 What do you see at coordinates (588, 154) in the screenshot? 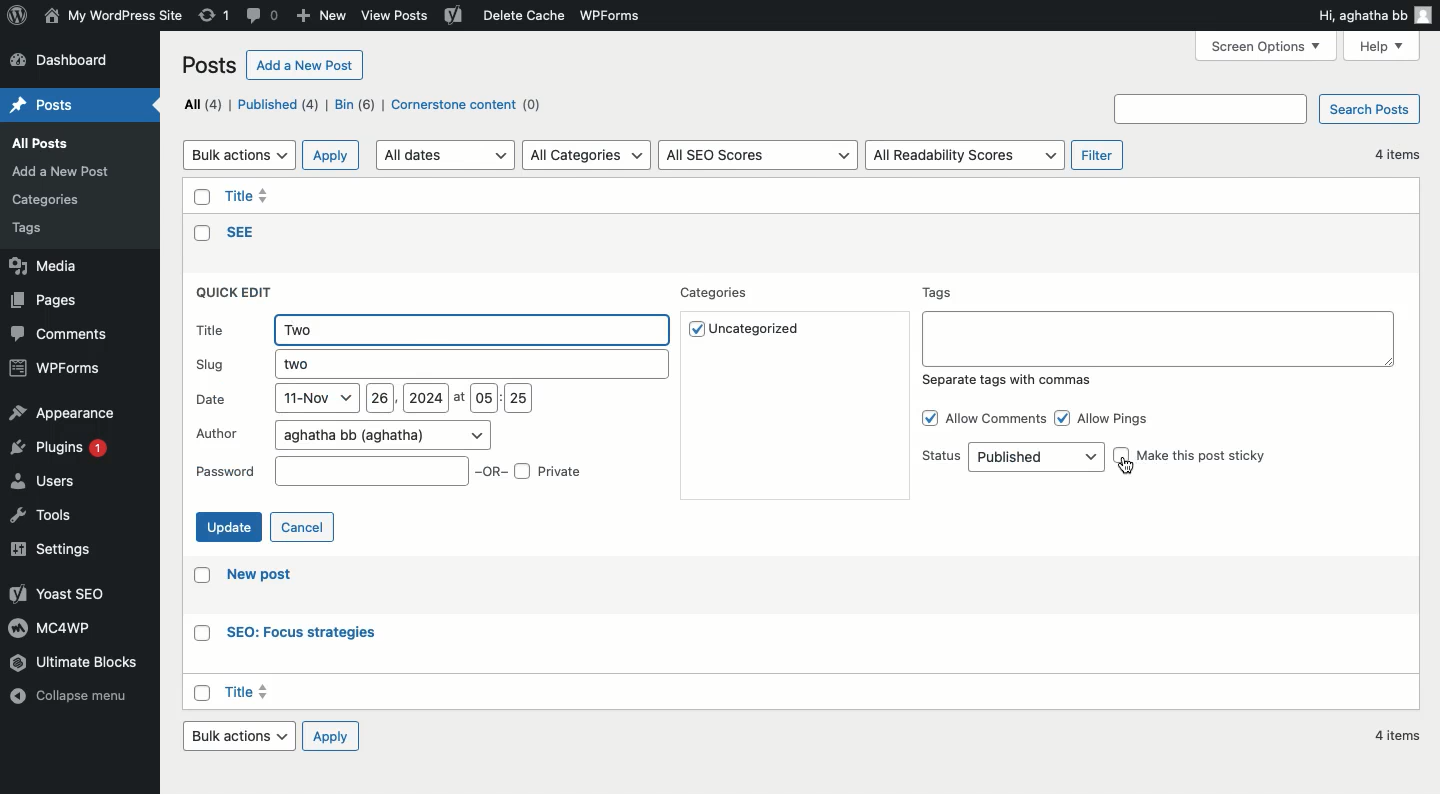
I see `All categories` at bounding box center [588, 154].